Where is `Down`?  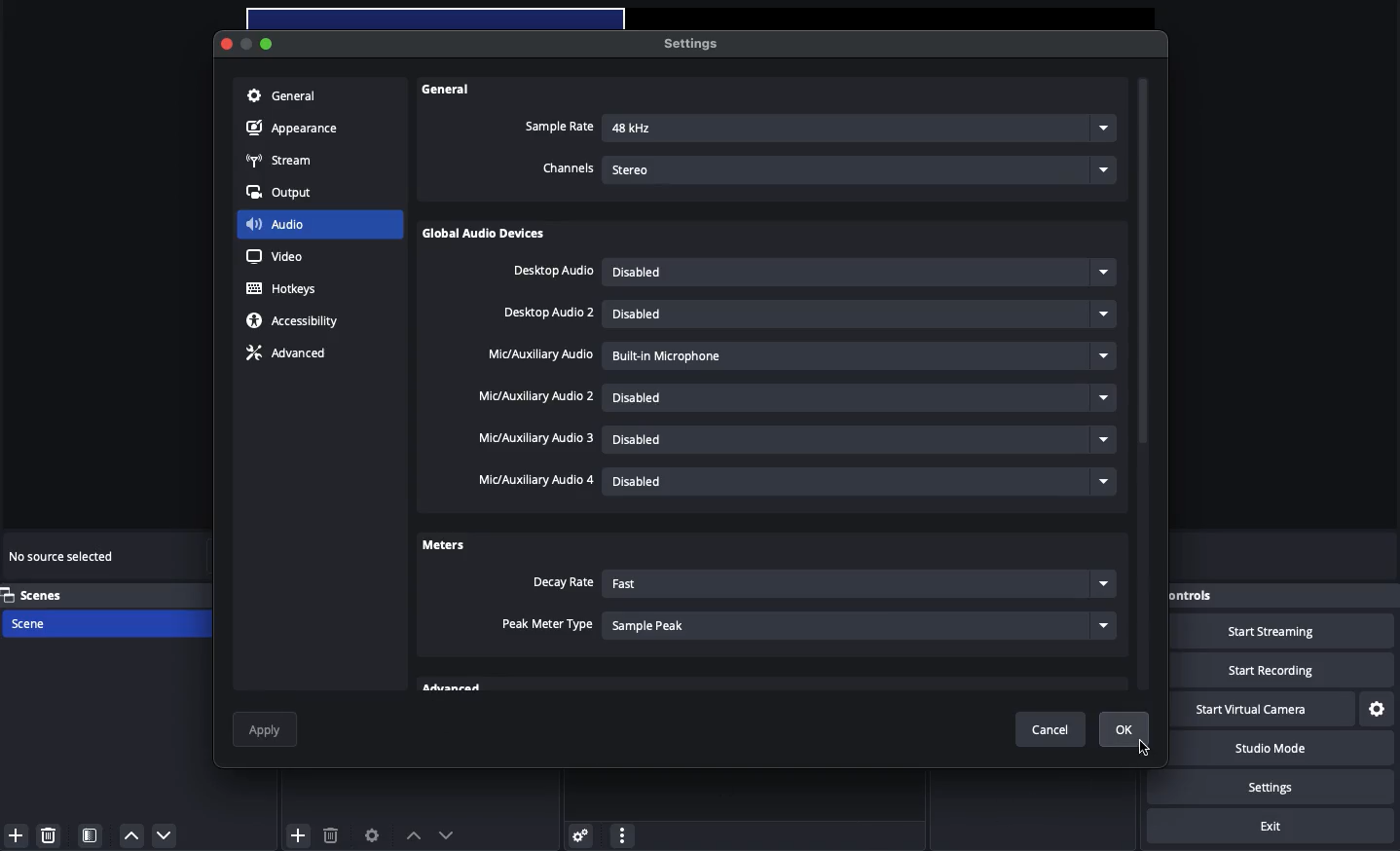 Down is located at coordinates (166, 834).